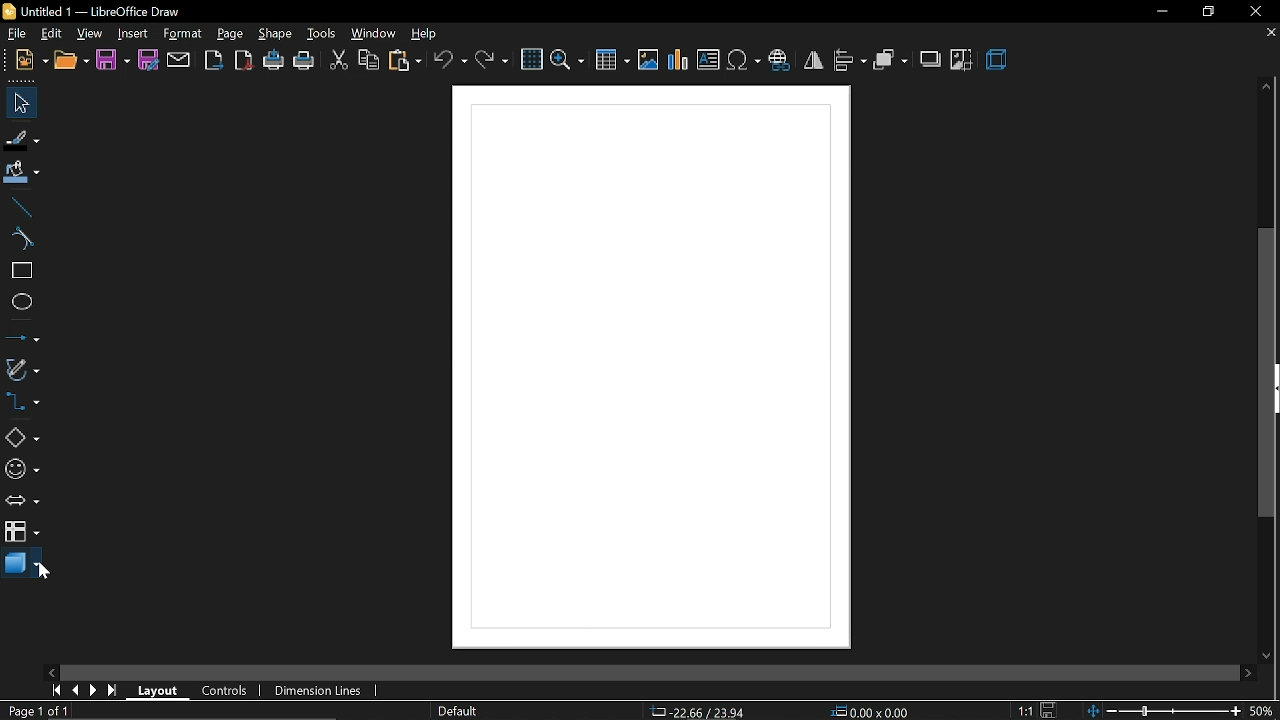 This screenshot has width=1280, height=720. What do you see at coordinates (1270, 655) in the screenshot?
I see `move down` at bounding box center [1270, 655].